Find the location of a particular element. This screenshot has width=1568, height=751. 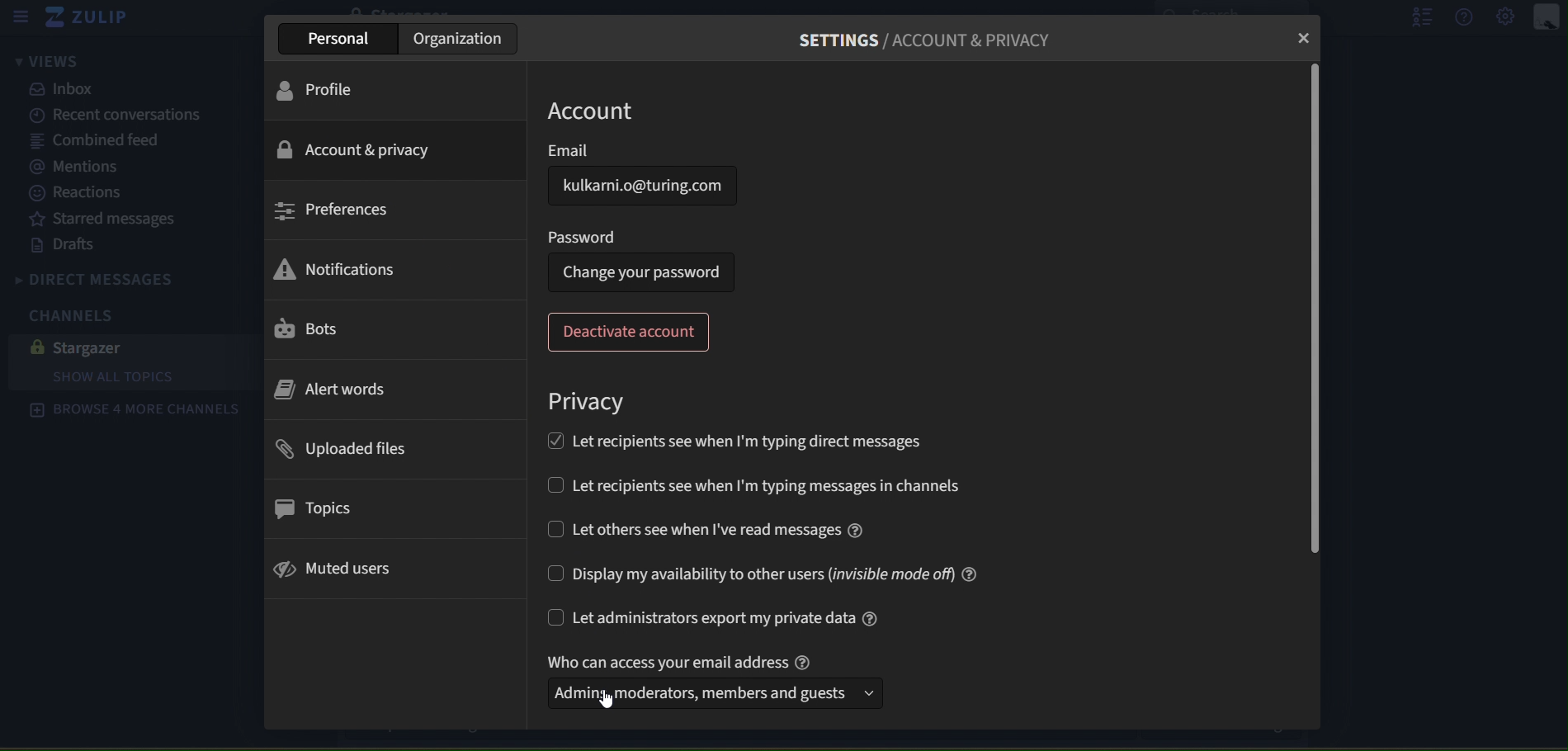

let others see when i've read messages is located at coordinates (706, 528).